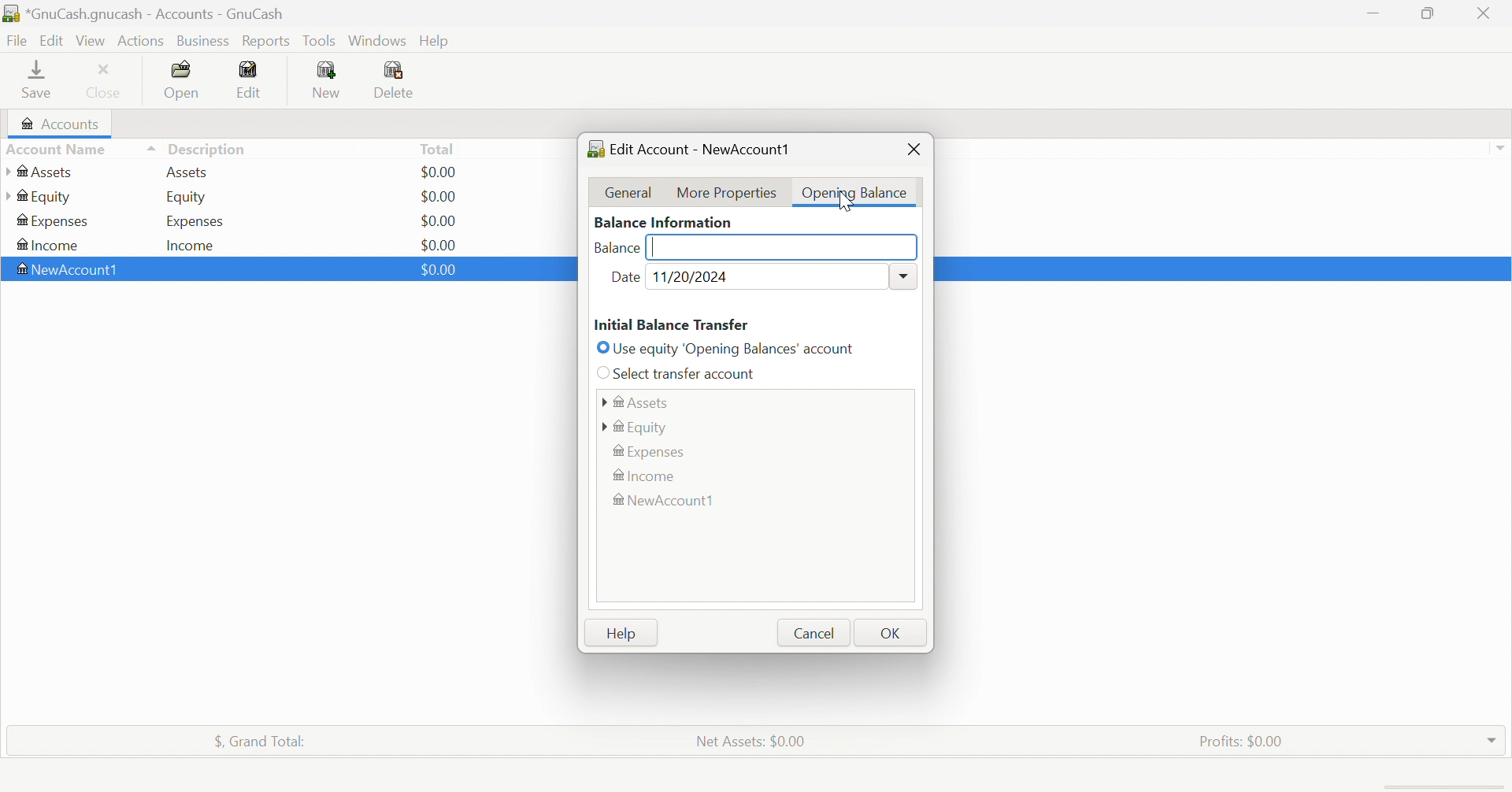 This screenshot has width=1512, height=792. What do you see at coordinates (1373, 13) in the screenshot?
I see `Minimize` at bounding box center [1373, 13].